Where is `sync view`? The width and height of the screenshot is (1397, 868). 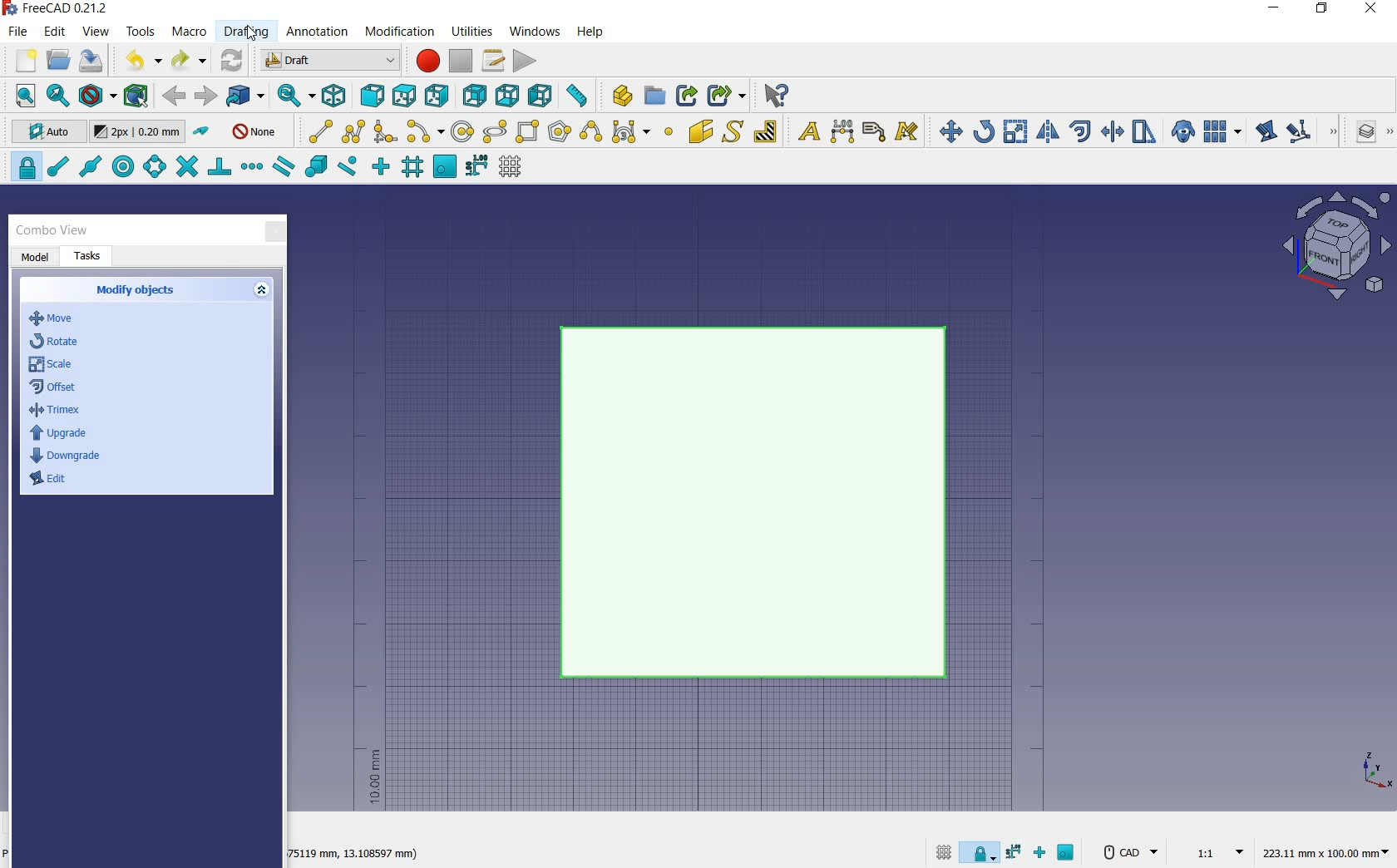 sync view is located at coordinates (292, 96).